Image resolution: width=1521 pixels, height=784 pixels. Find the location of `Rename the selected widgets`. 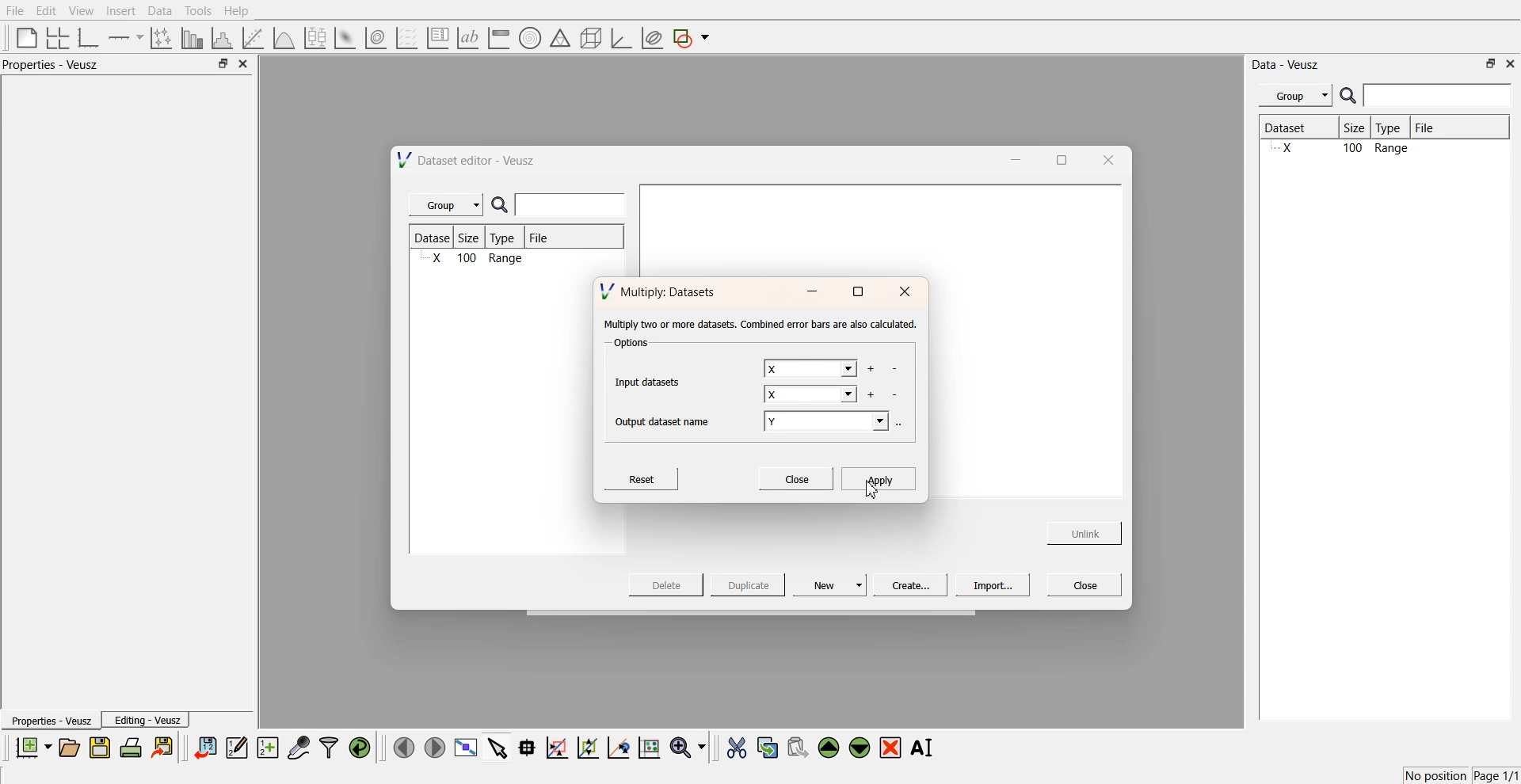

Rename the selected widgets is located at coordinates (925, 748).